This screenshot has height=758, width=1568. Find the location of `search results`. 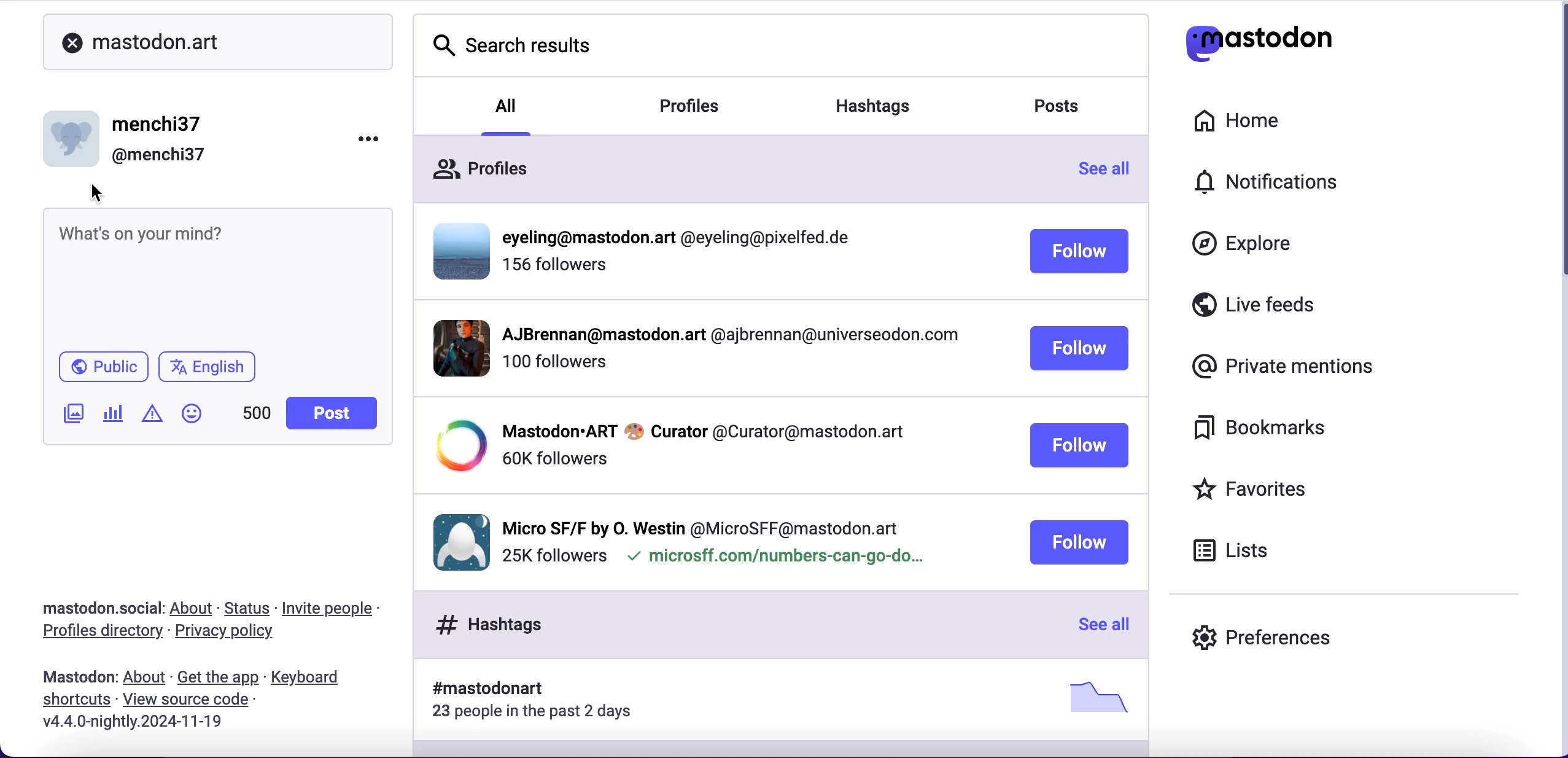

search results is located at coordinates (518, 49).